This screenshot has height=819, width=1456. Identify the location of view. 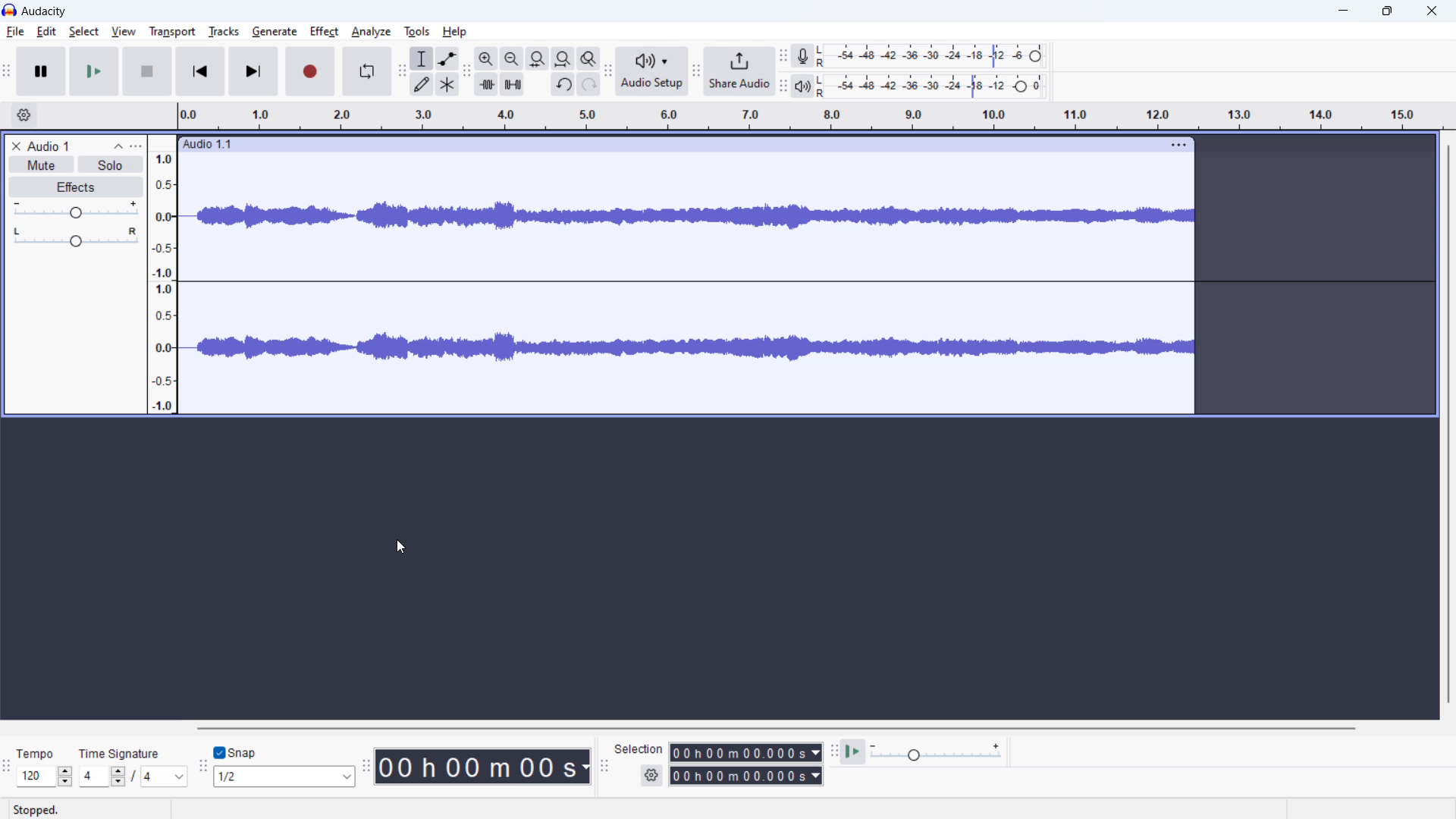
(124, 32).